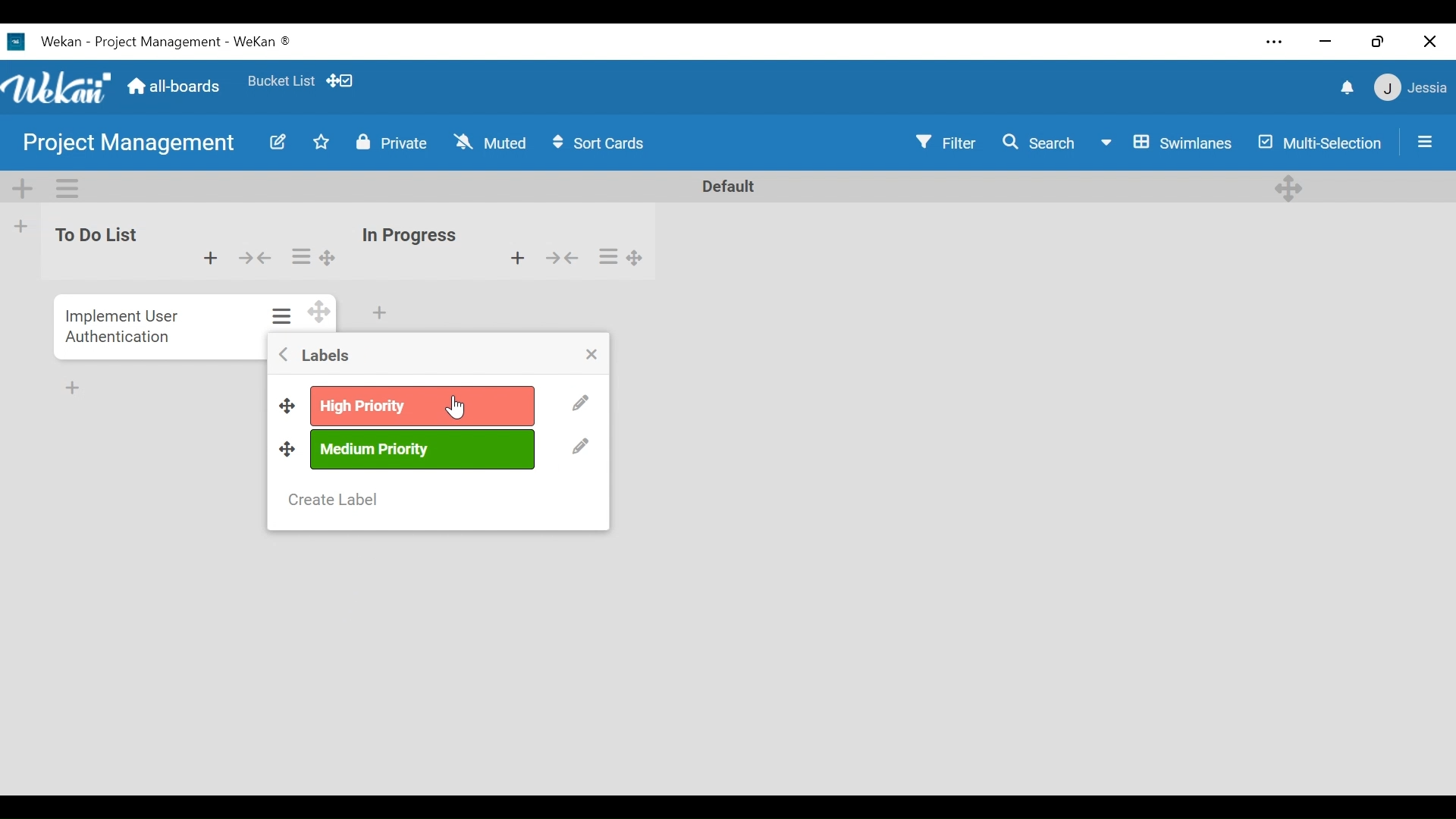 Image resolution: width=1456 pixels, height=819 pixels. I want to click on notification, so click(1346, 88).